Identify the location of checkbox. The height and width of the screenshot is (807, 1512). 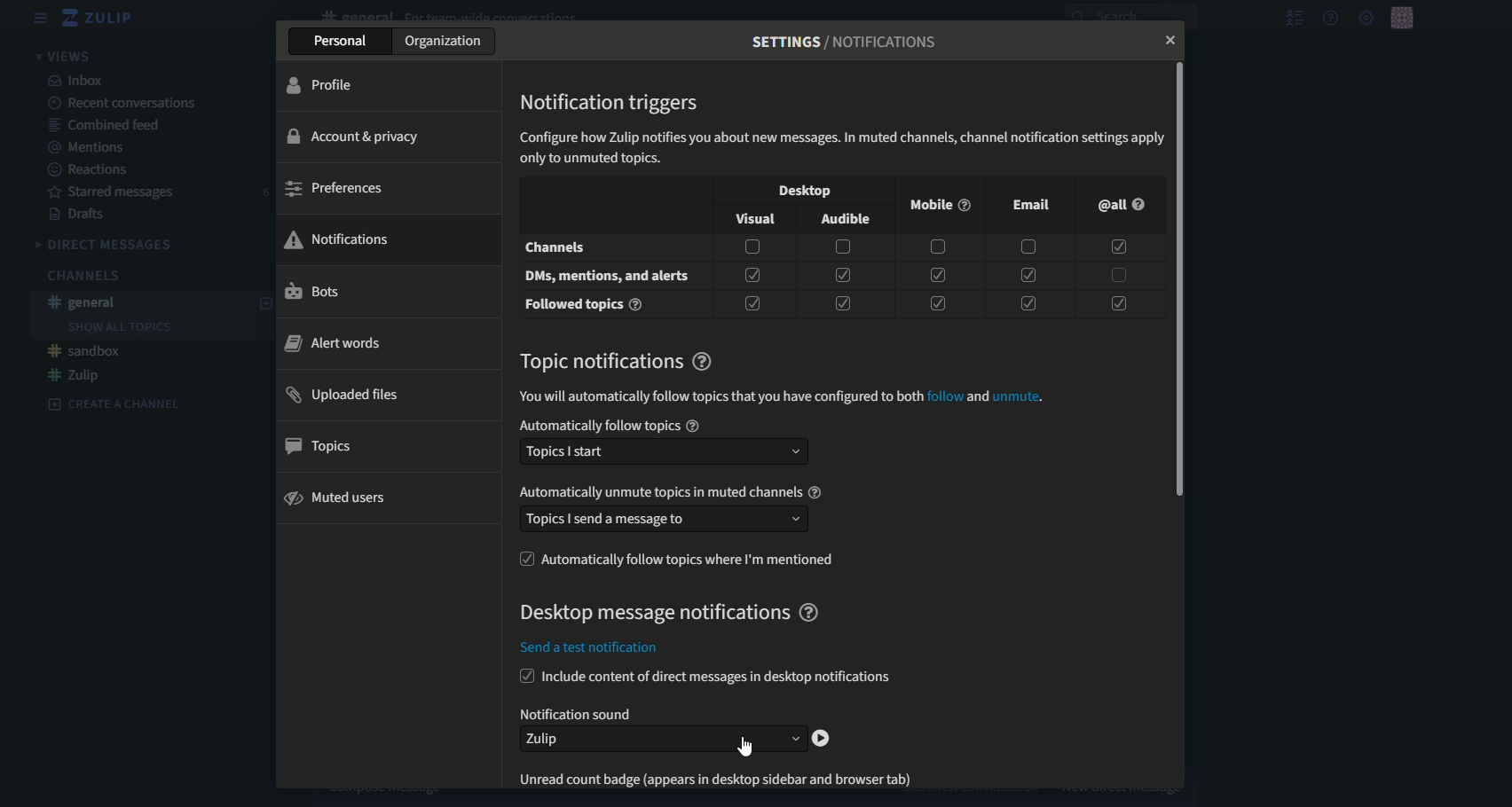
(754, 274).